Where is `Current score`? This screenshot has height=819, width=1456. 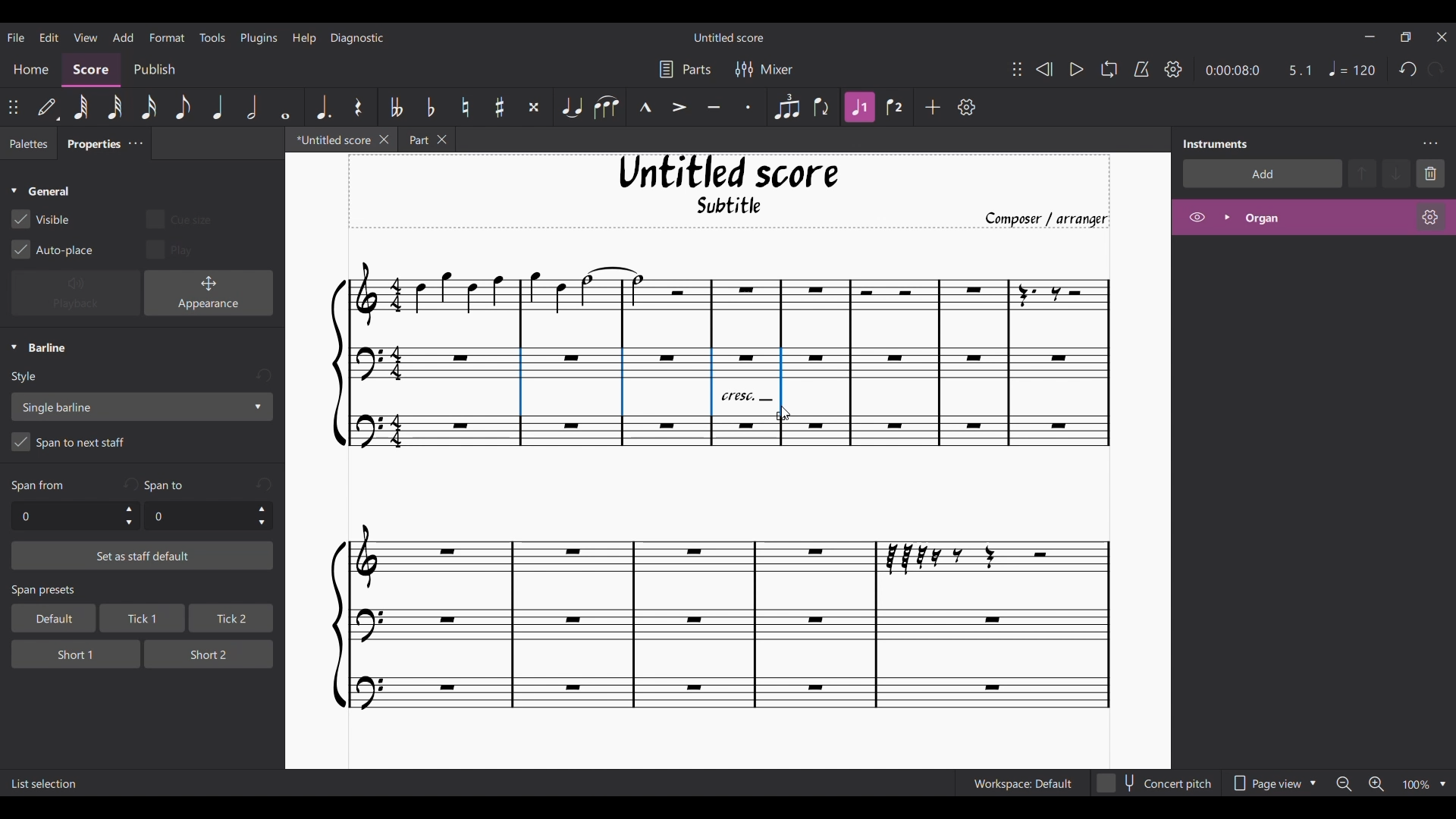
Current score is located at coordinates (712, 591).